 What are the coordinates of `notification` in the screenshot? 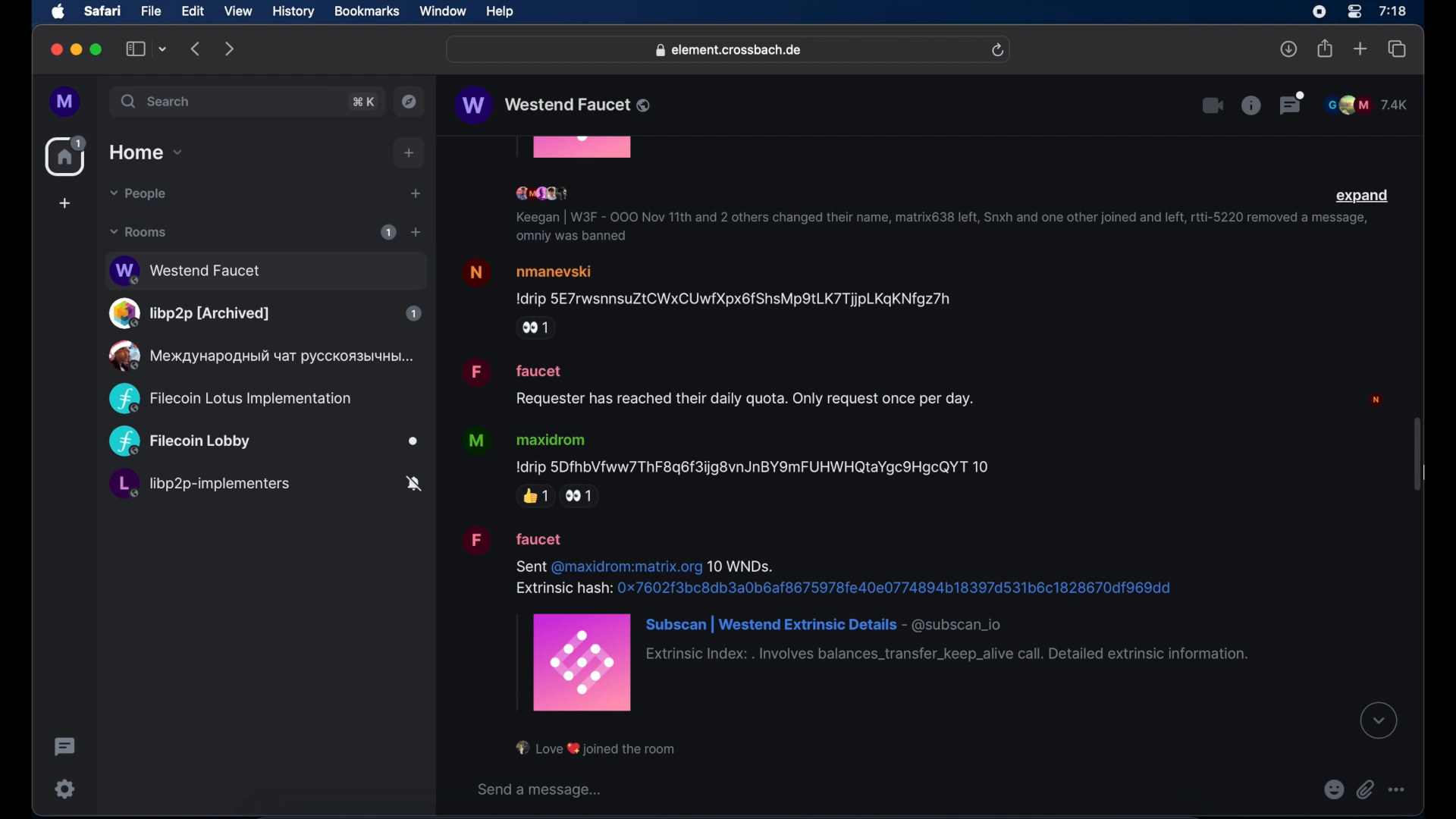 It's located at (597, 748).